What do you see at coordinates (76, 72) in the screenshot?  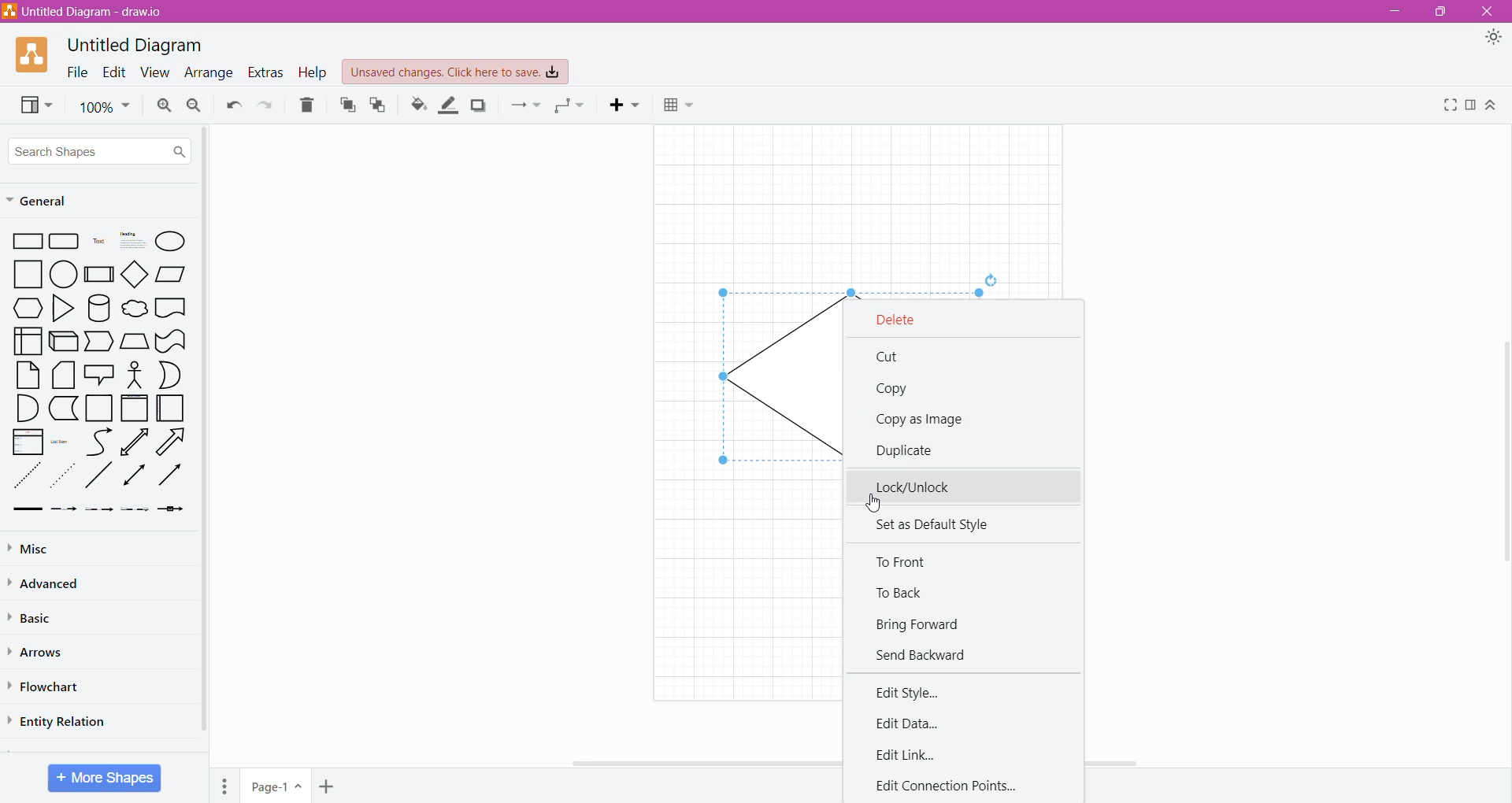 I see `File` at bounding box center [76, 72].